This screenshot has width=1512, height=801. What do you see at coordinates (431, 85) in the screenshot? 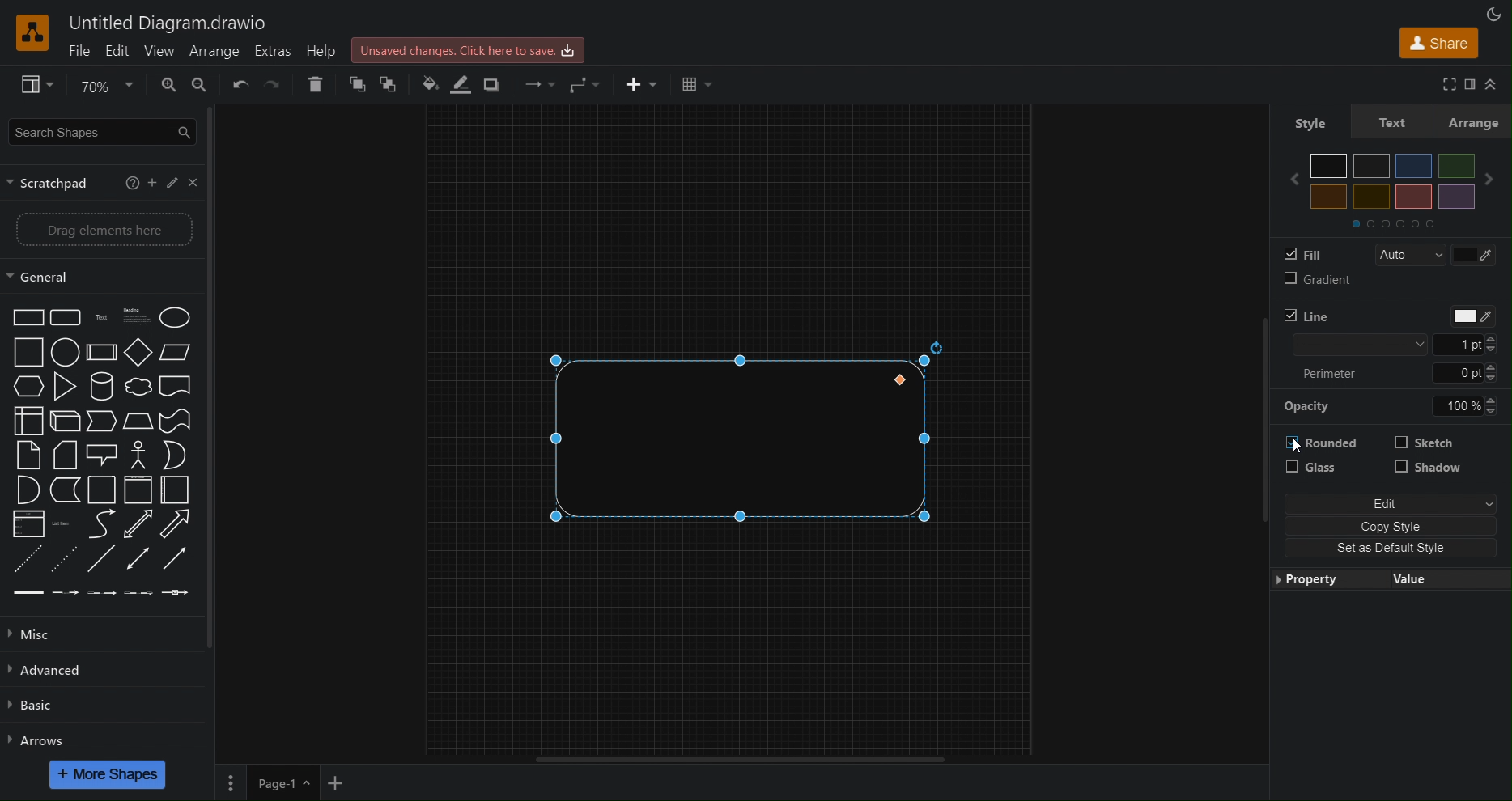
I see `Fill Color` at bounding box center [431, 85].